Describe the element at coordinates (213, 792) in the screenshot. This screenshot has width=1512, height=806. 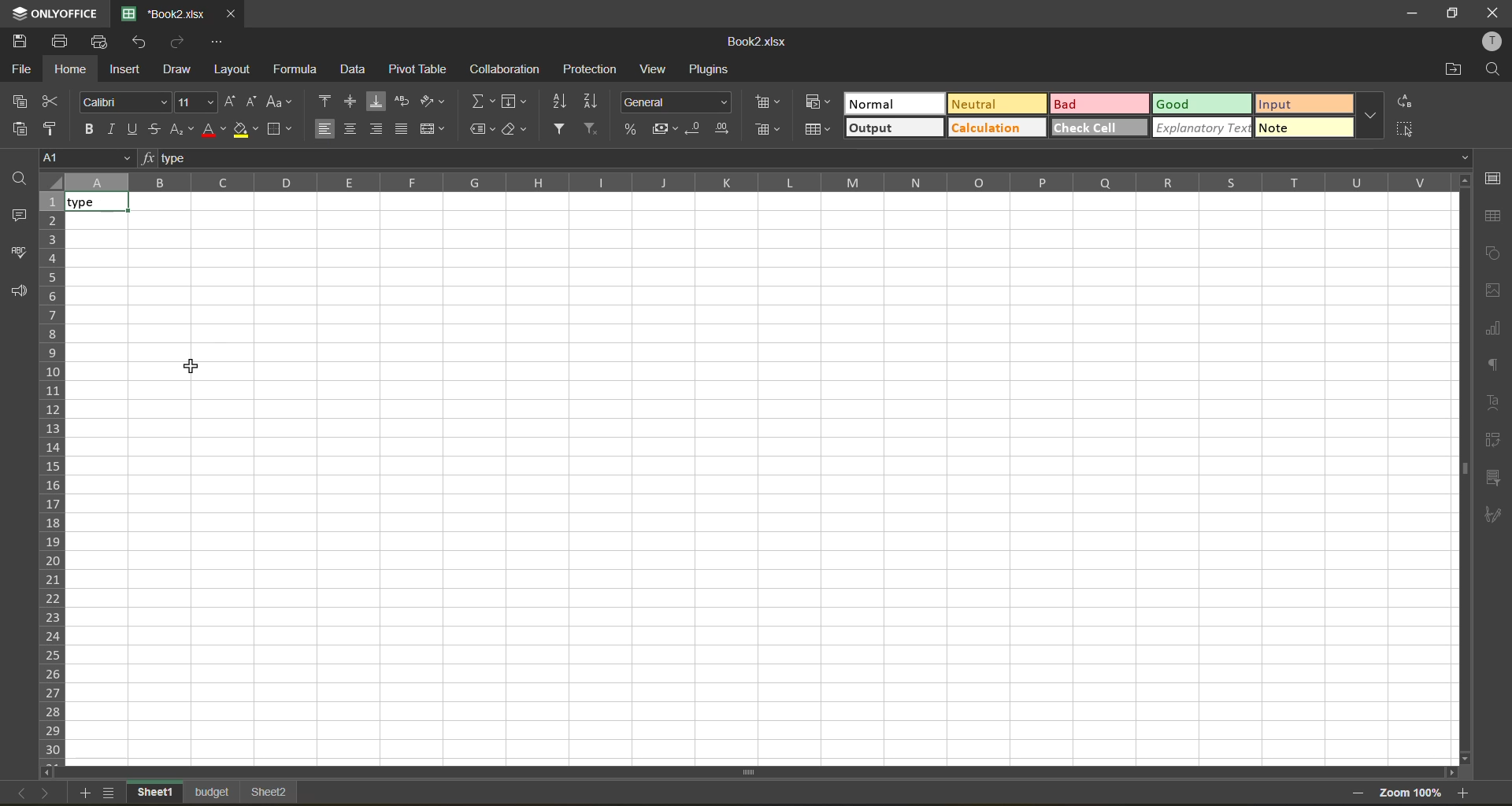
I see `sheet names` at that location.